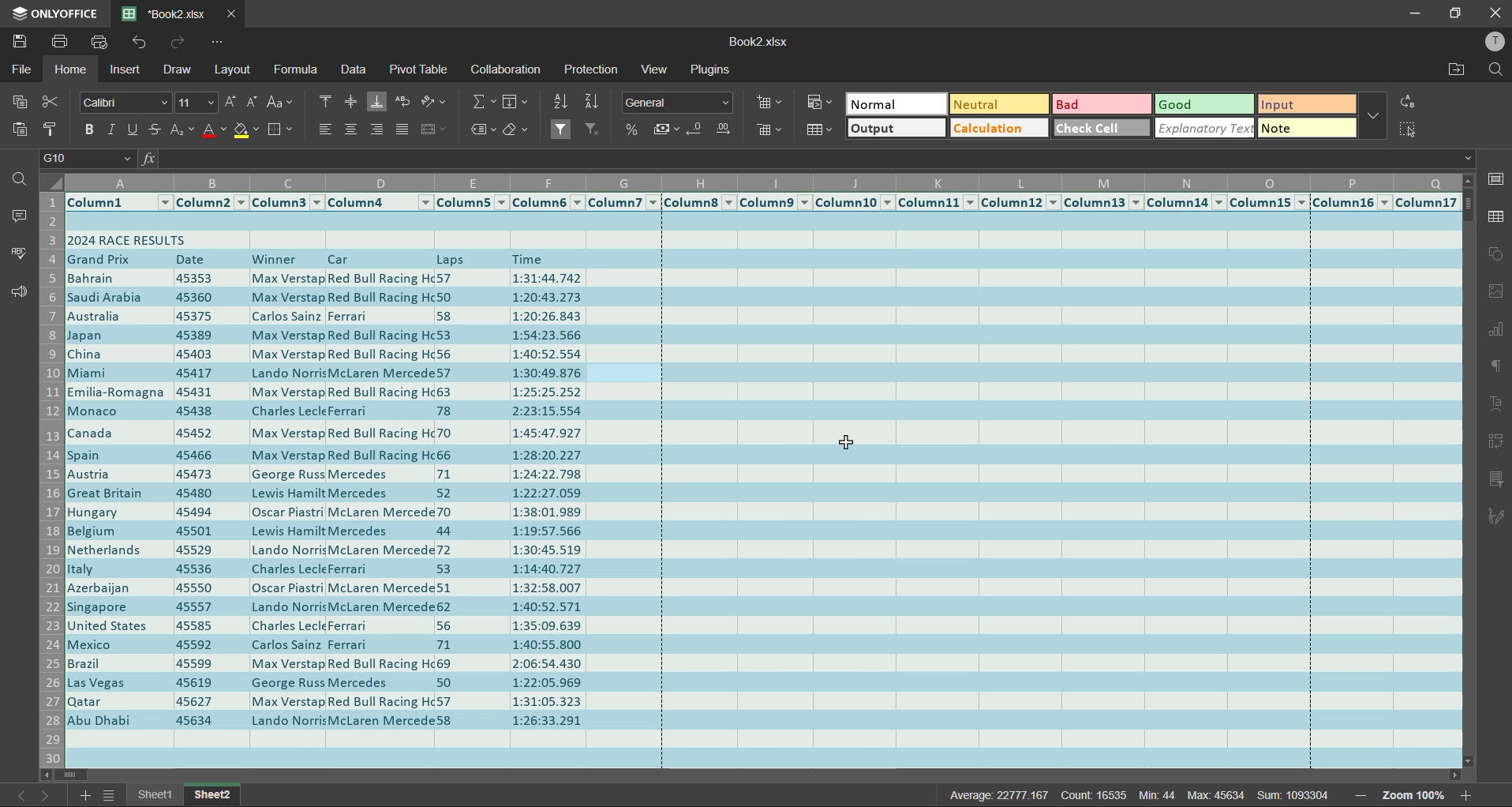 The height and width of the screenshot is (807, 1512). I want to click on Column 17, so click(1428, 203).